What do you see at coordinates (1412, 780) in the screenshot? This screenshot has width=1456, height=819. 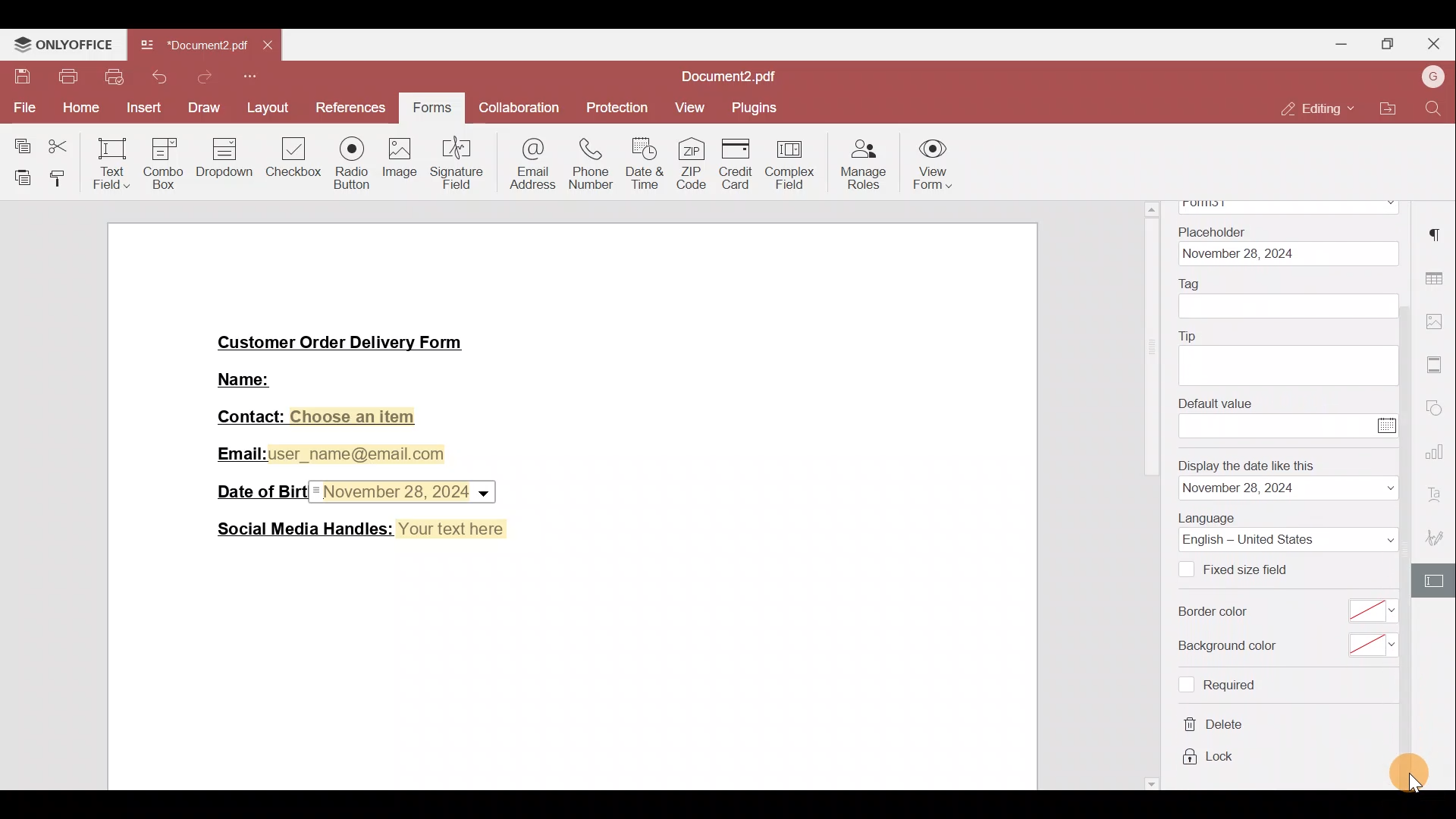 I see `cursor` at bounding box center [1412, 780].